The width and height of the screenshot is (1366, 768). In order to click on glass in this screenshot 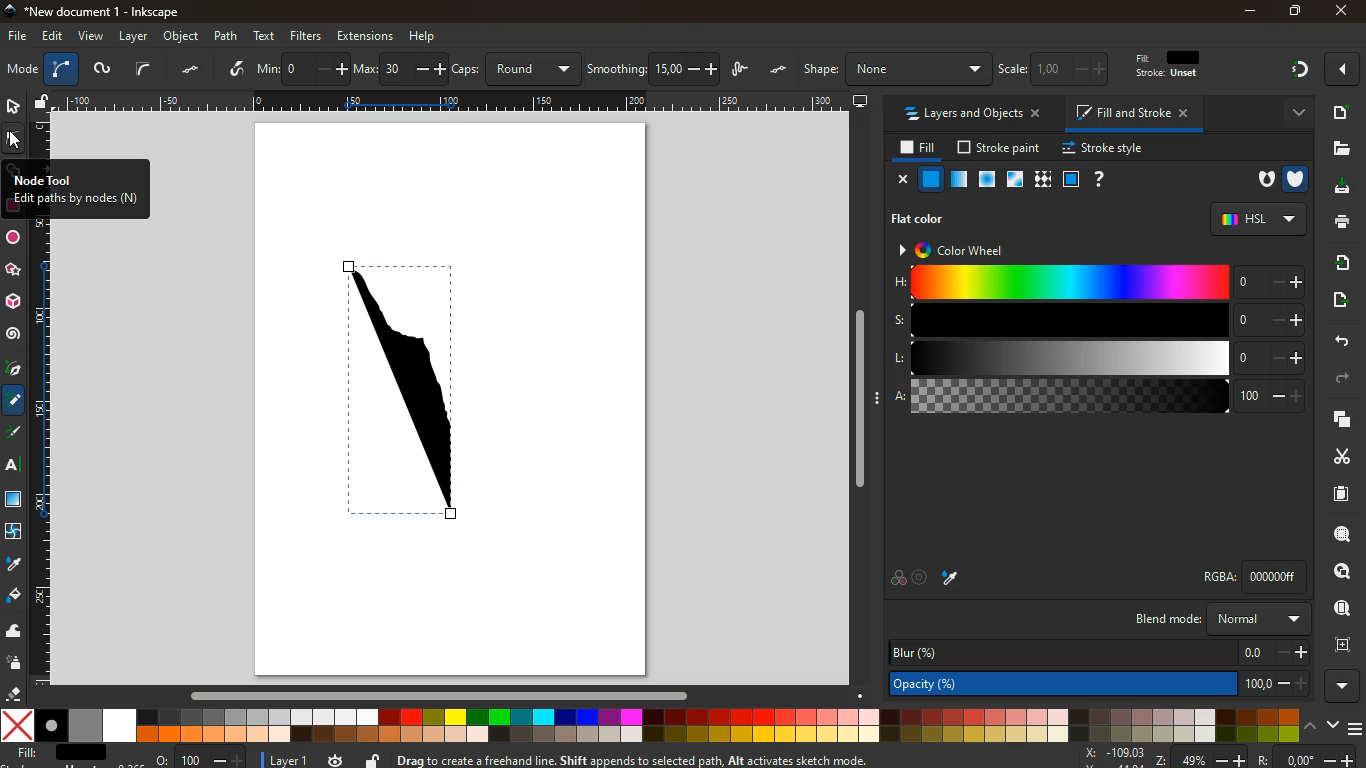, I will do `click(1017, 180)`.